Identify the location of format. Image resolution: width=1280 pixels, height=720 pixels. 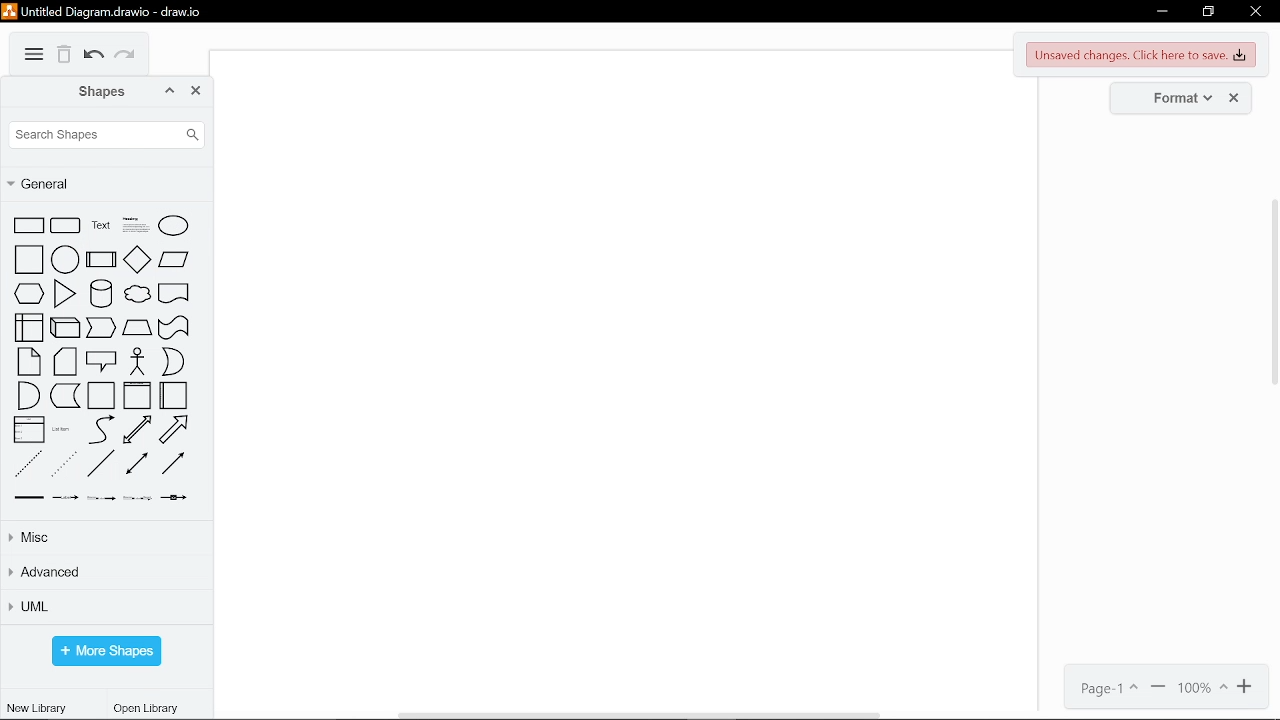
(1175, 97).